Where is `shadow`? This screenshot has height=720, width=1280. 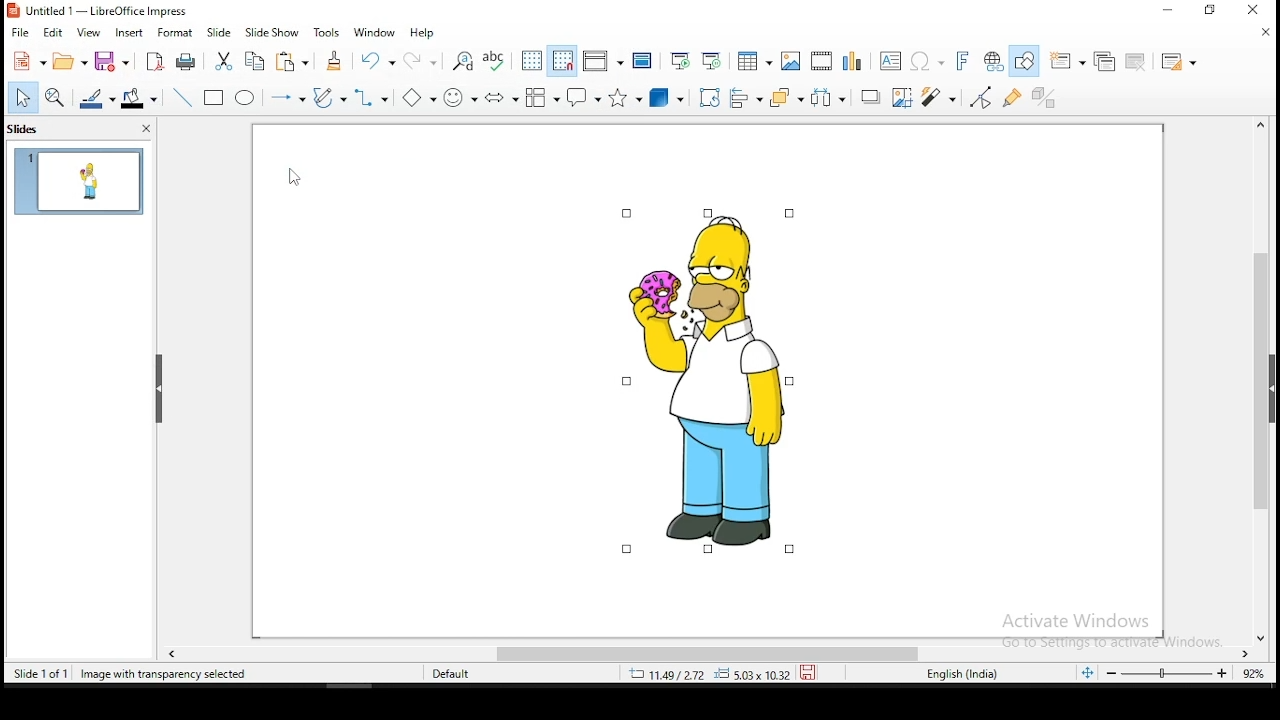 shadow is located at coordinates (903, 97).